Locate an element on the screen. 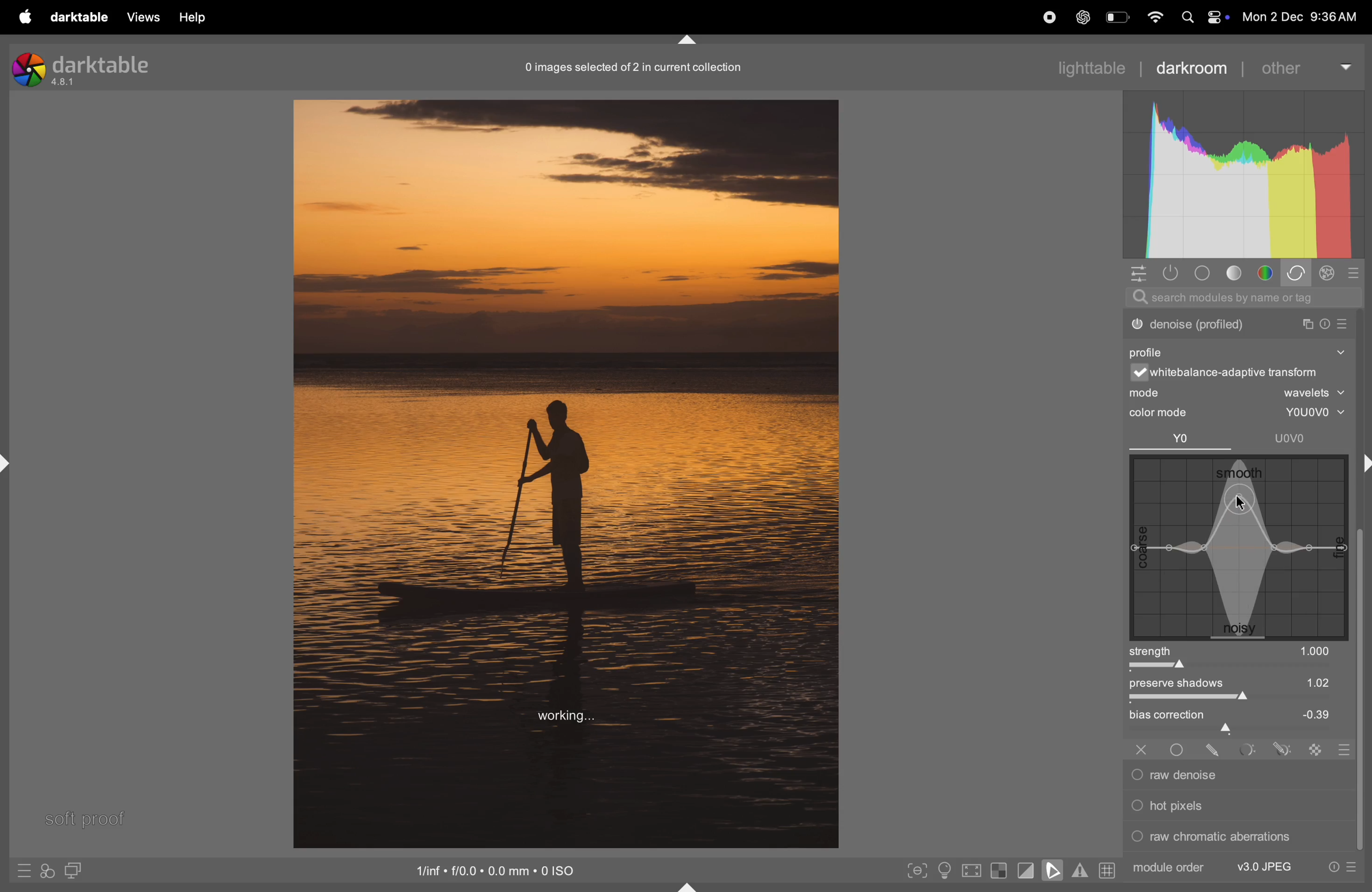 This screenshot has height=892, width=1372. base is located at coordinates (1201, 273).